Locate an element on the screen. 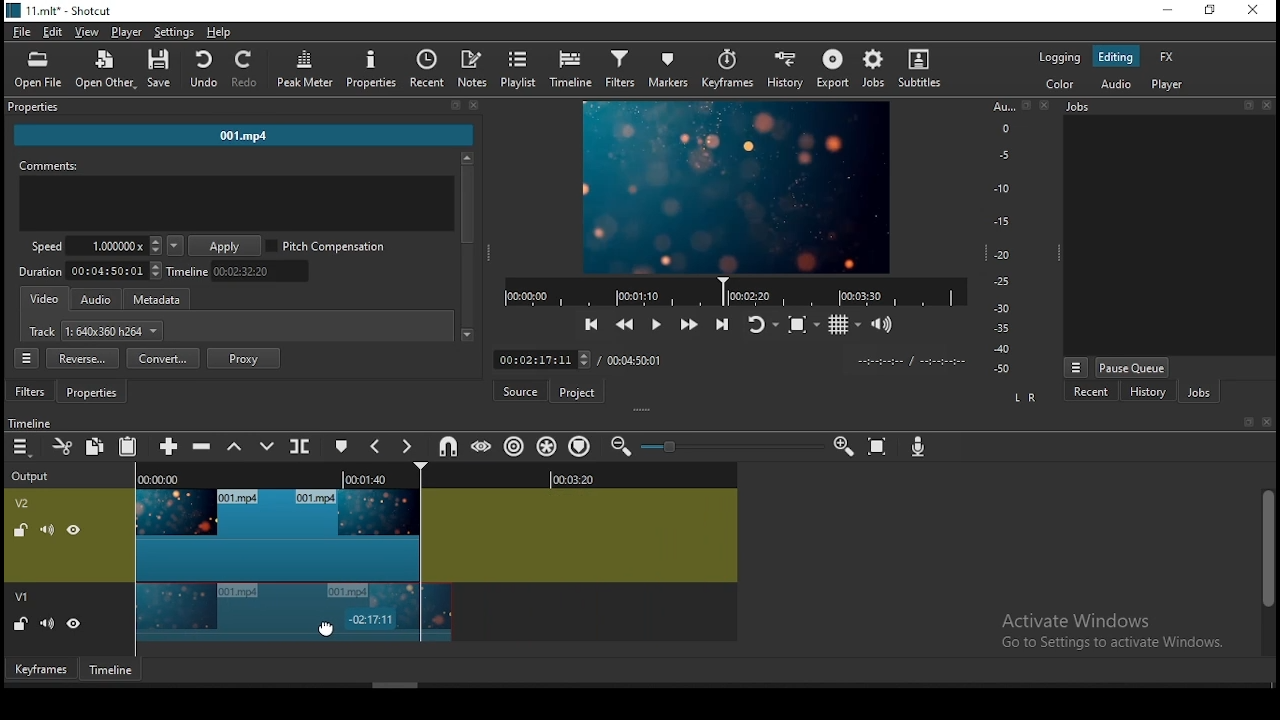  play/pause is located at coordinates (659, 322).